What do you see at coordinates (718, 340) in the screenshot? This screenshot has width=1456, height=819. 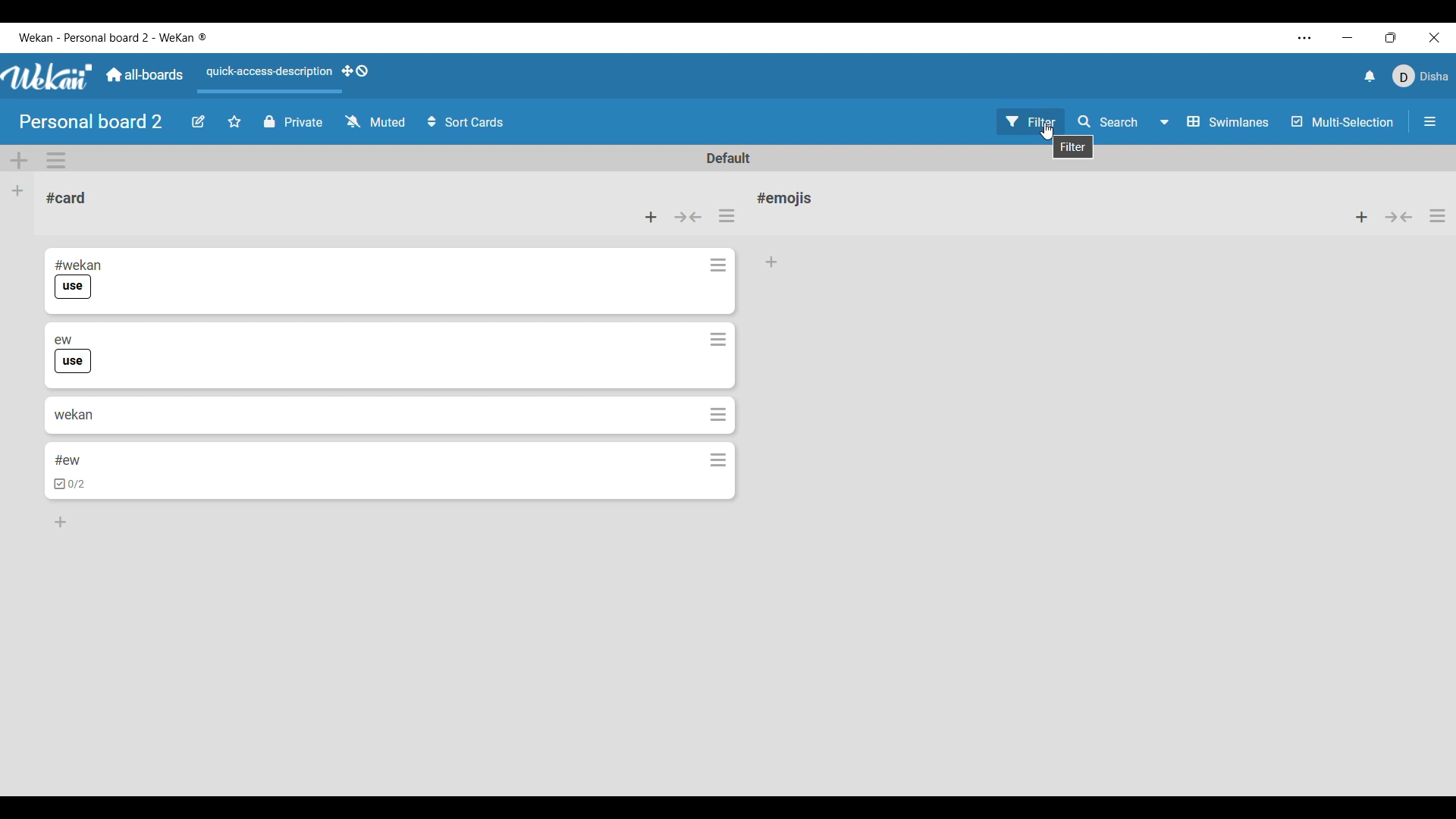 I see `Card actions for respective card` at bounding box center [718, 340].